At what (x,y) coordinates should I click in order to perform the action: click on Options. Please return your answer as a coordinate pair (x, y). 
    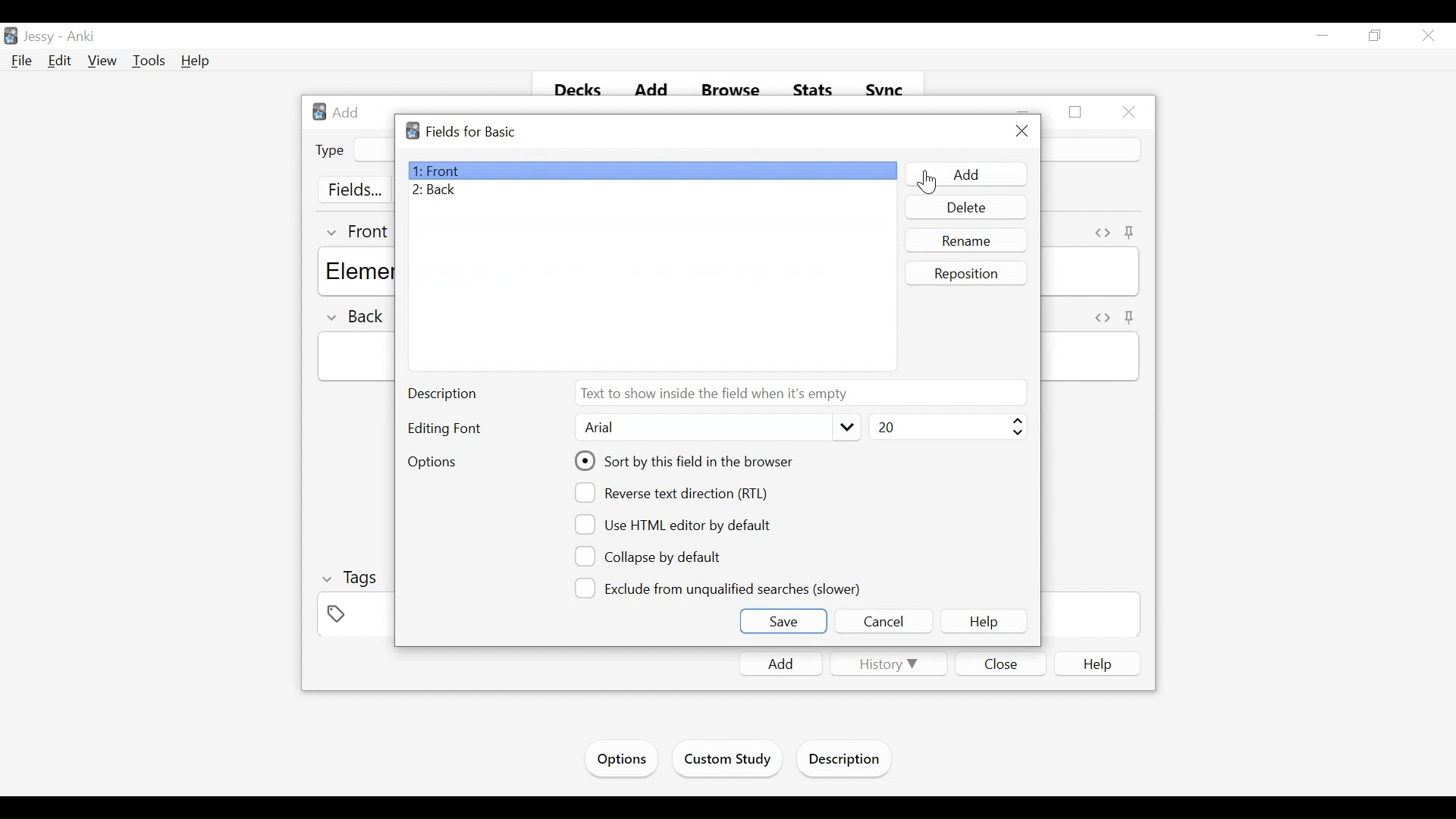
    Looking at the image, I should click on (438, 460).